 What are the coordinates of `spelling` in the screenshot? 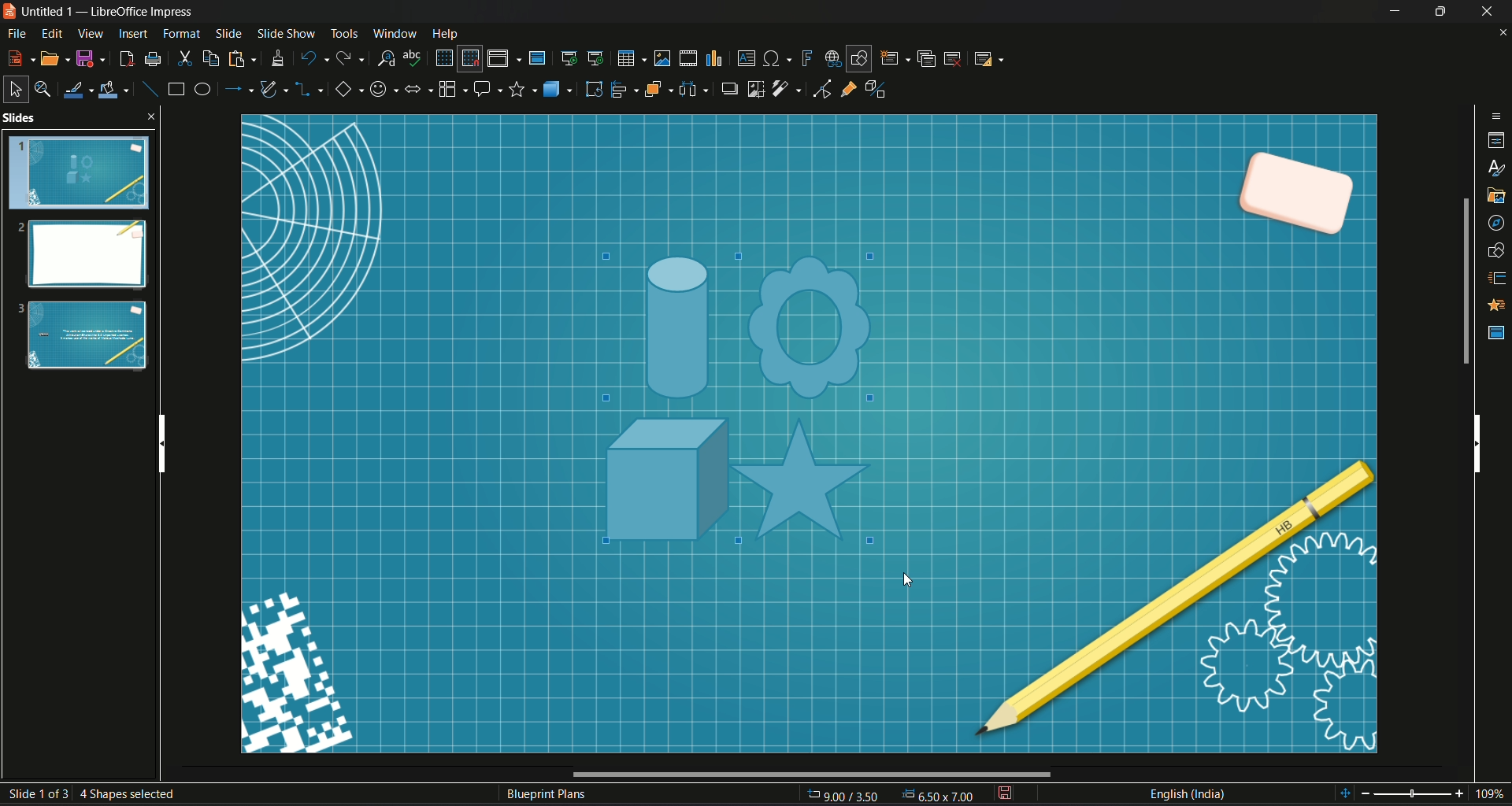 It's located at (413, 57).